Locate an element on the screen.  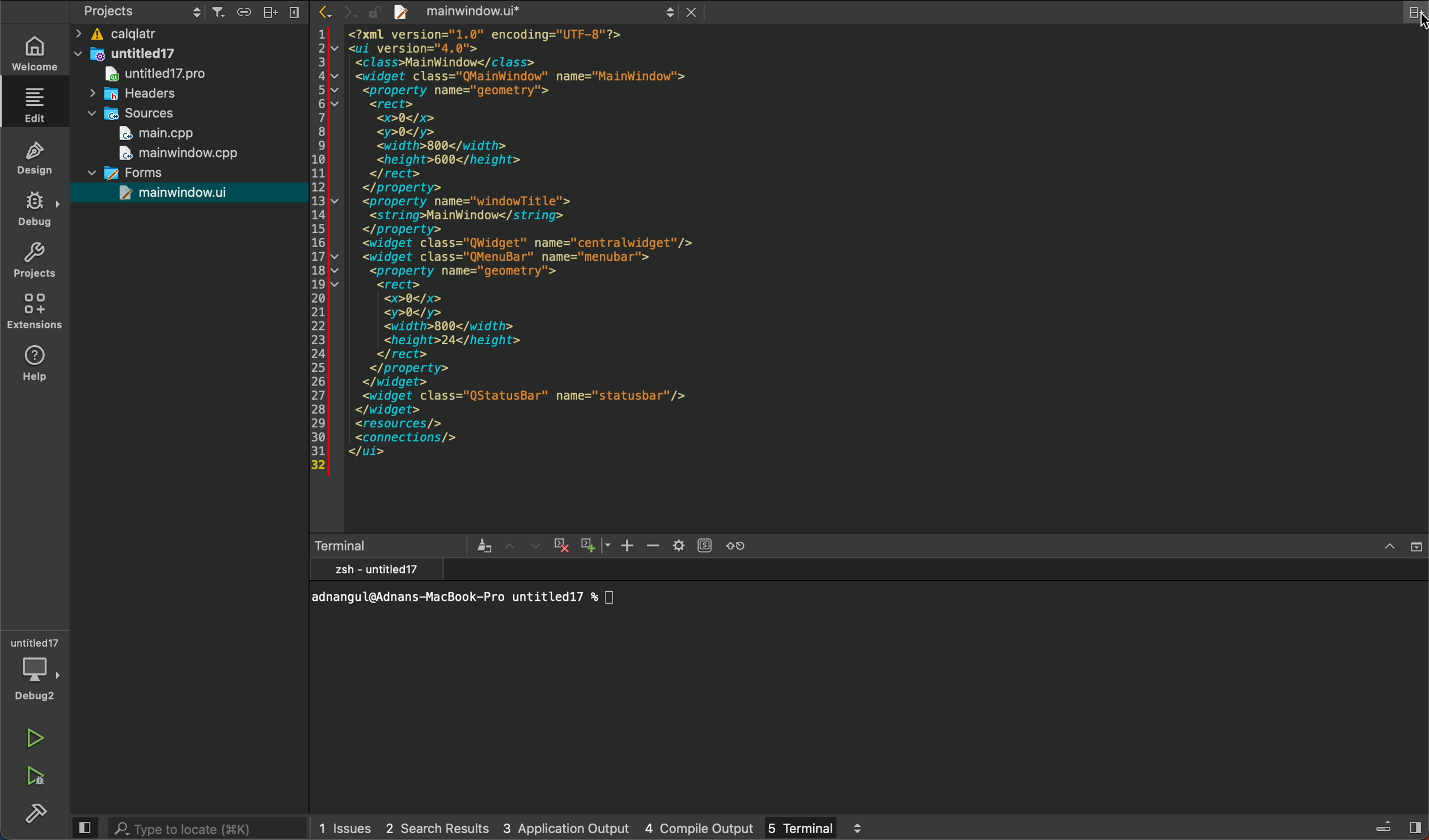
setting is located at coordinates (692, 545).